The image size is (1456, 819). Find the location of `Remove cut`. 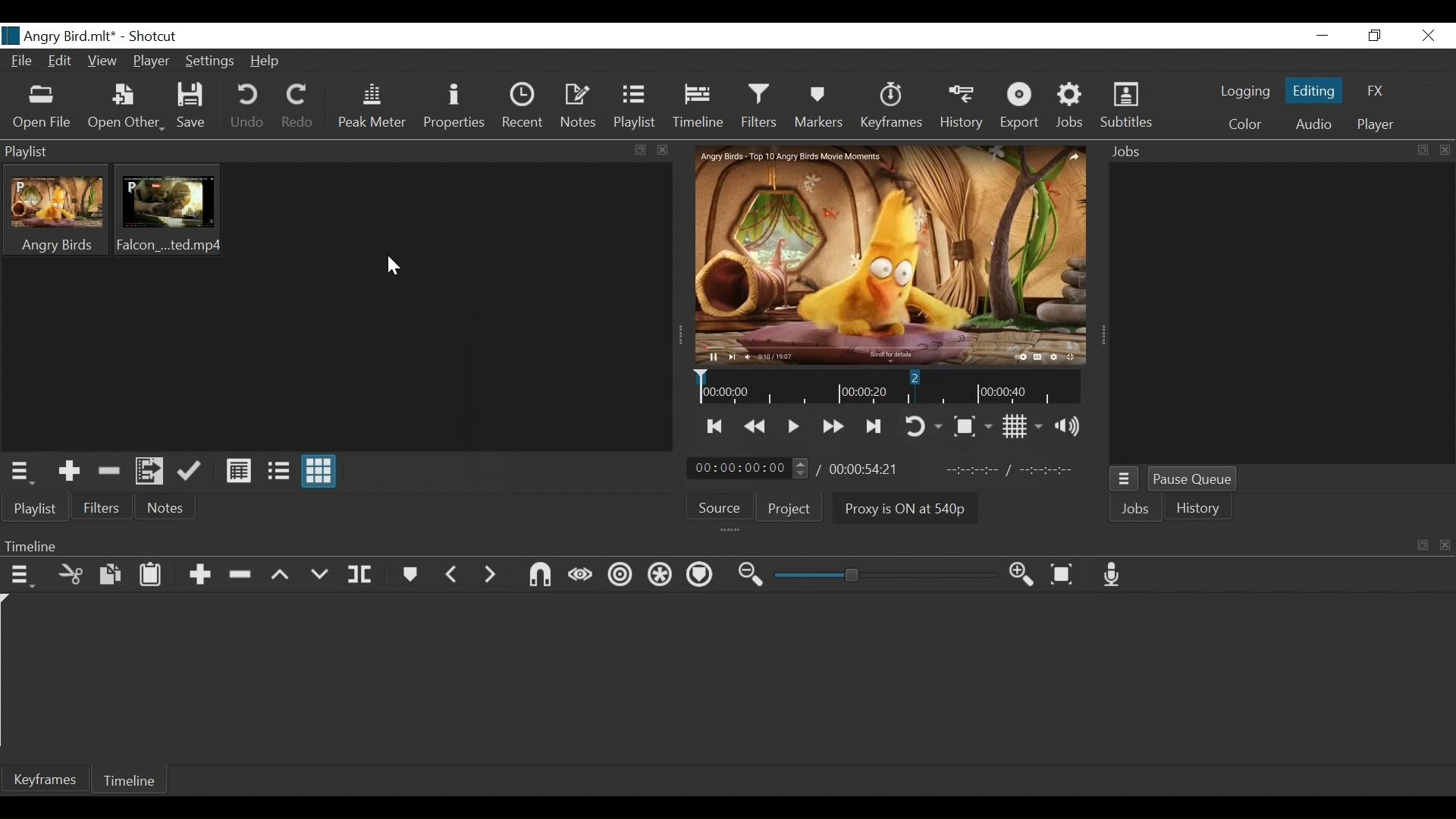

Remove cut is located at coordinates (106, 469).